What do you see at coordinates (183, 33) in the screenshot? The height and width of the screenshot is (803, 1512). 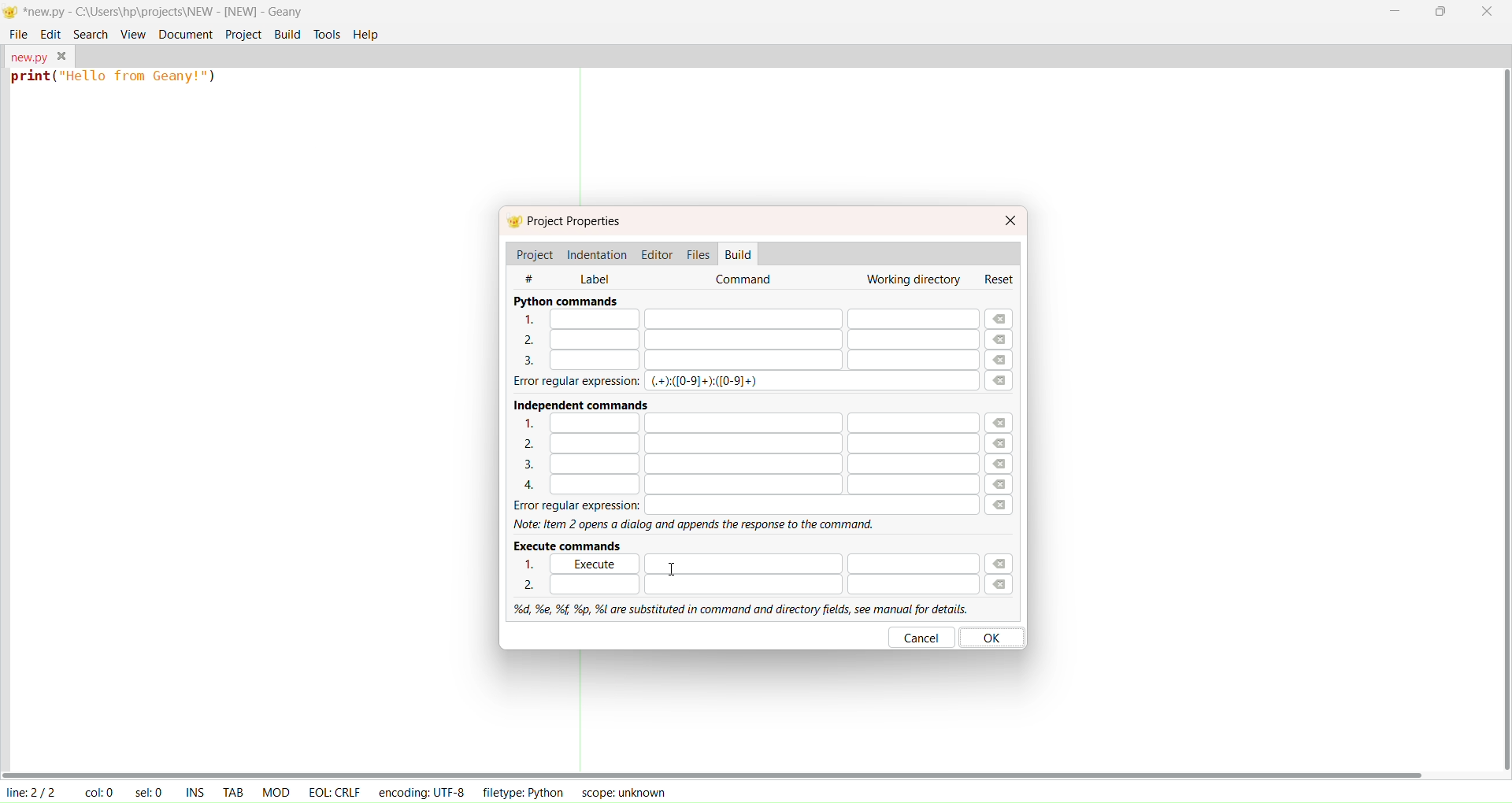 I see `document` at bounding box center [183, 33].